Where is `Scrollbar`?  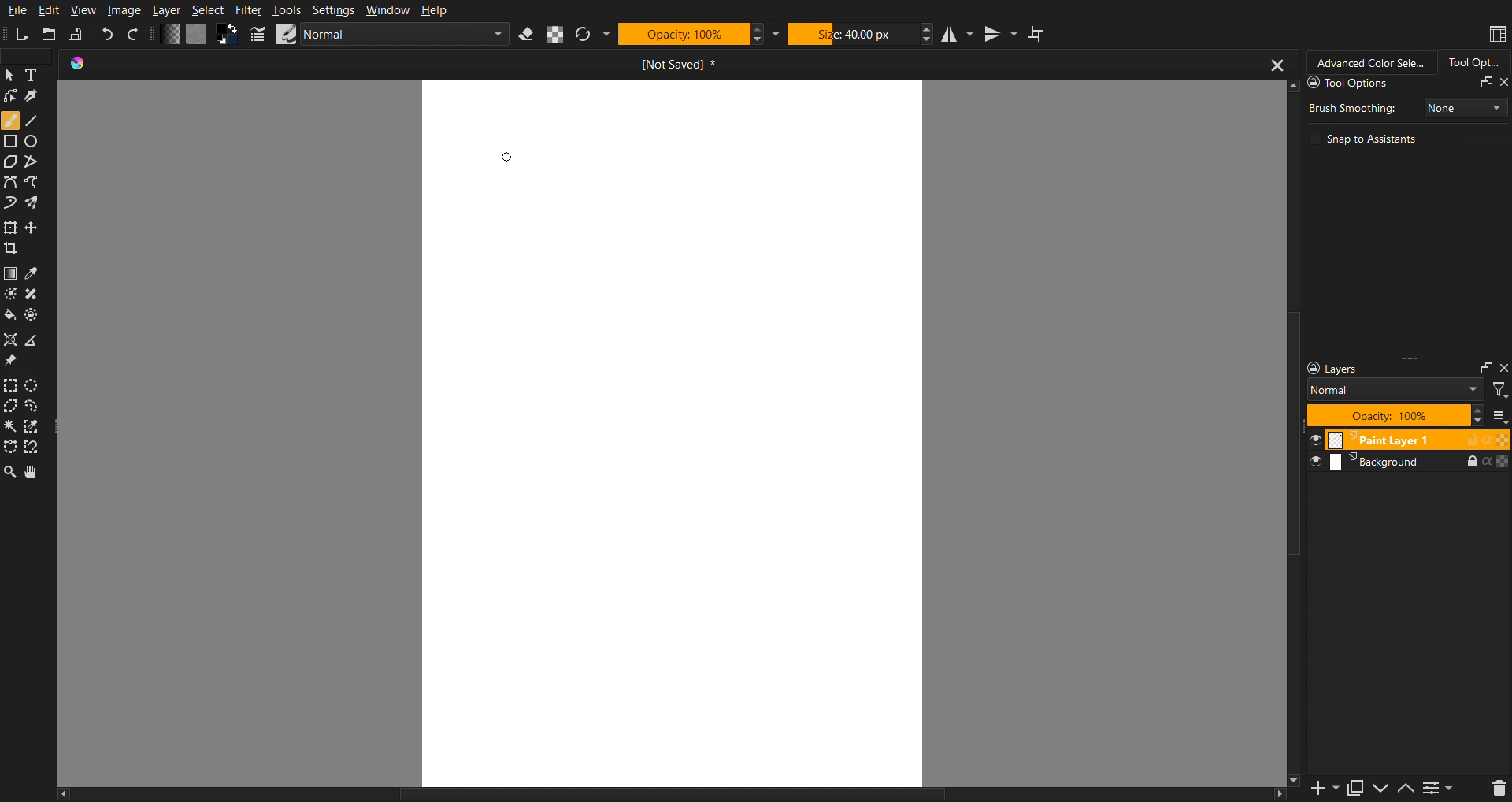 Scrollbar is located at coordinates (681, 794).